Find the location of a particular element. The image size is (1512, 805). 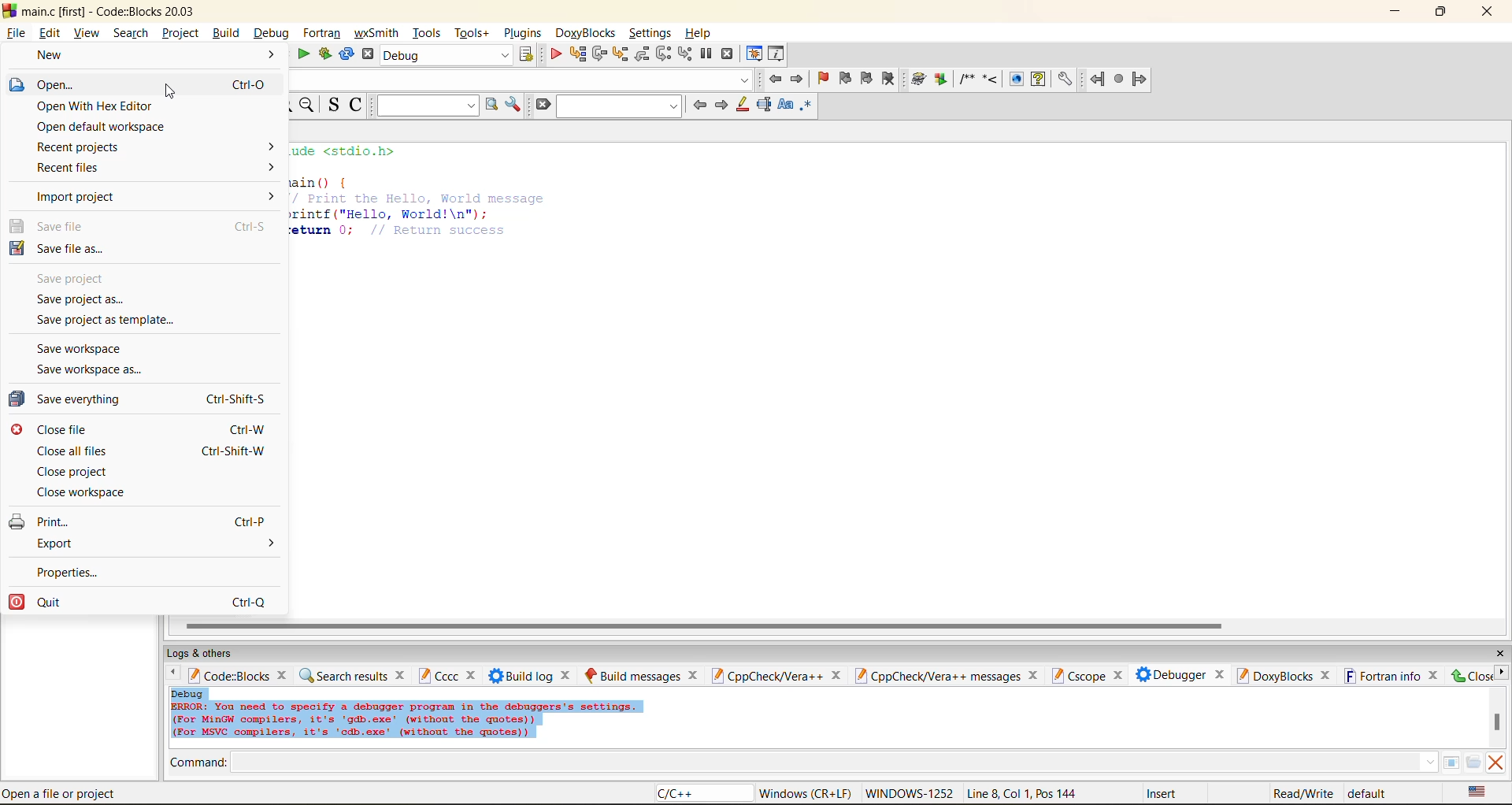

step into is located at coordinates (990, 78).